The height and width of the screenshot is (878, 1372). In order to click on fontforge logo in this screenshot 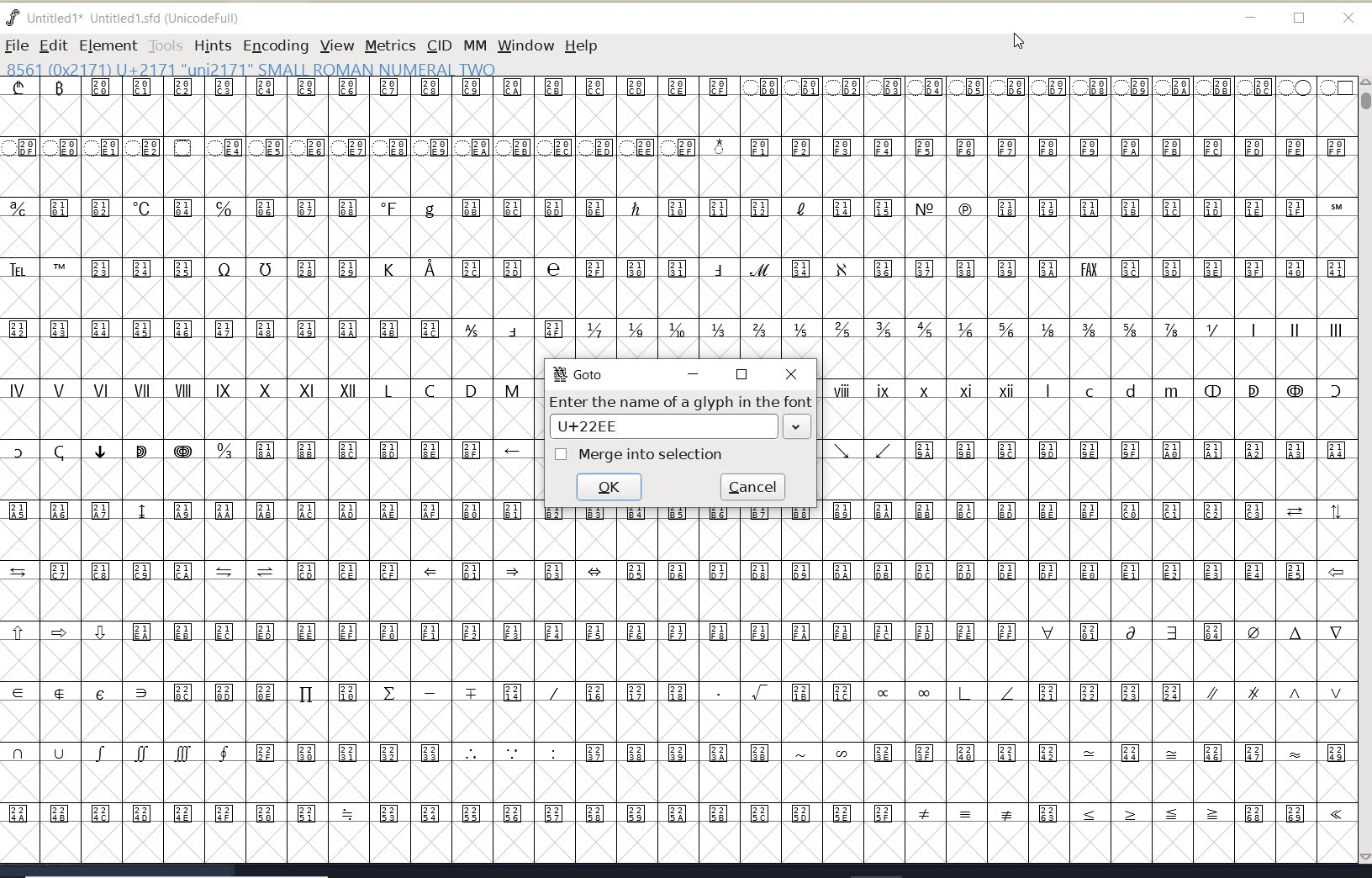, I will do `click(13, 18)`.